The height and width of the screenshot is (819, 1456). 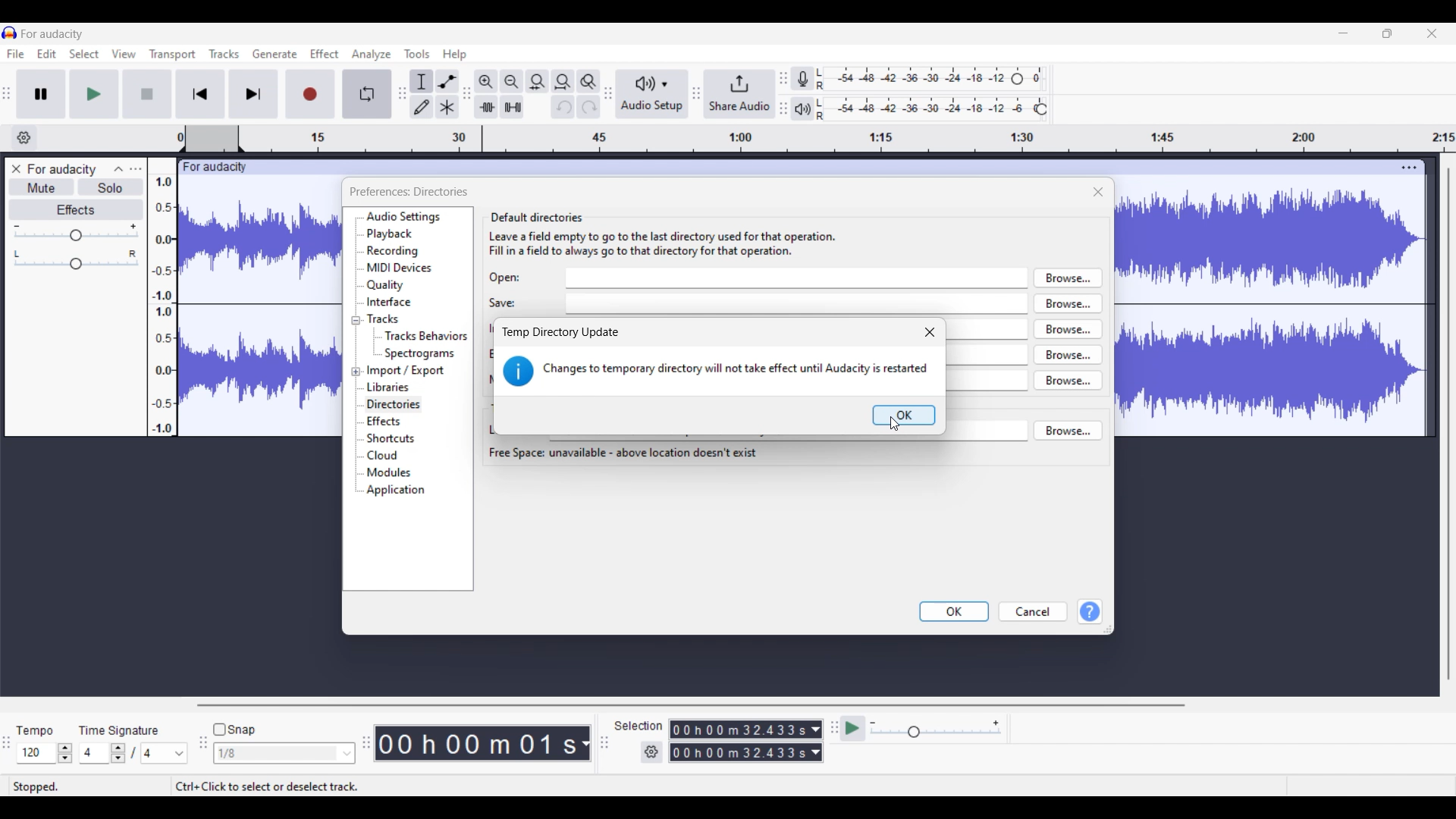 What do you see at coordinates (389, 387) in the screenshot?
I see `Libraries` at bounding box center [389, 387].